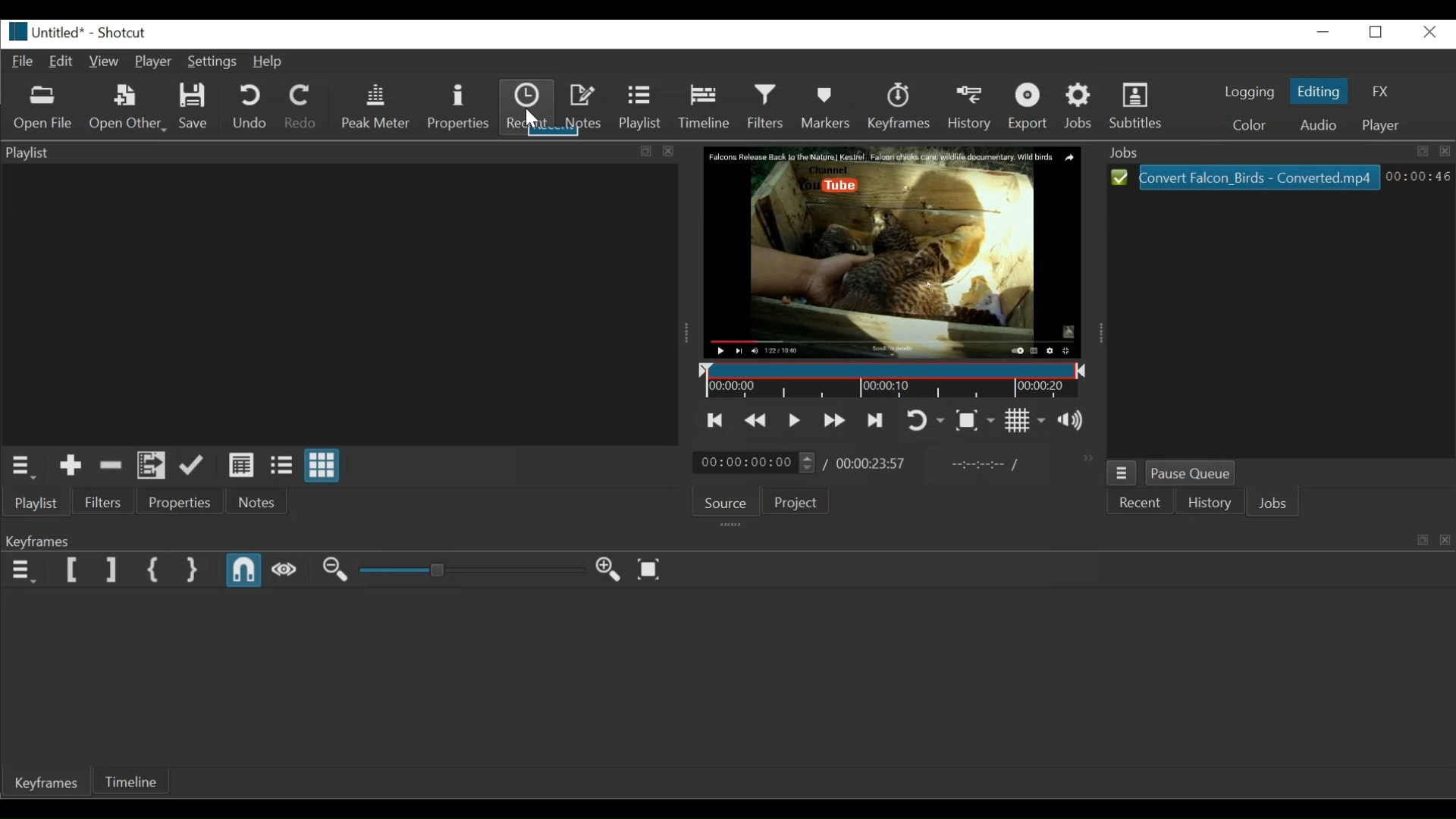 This screenshot has height=819, width=1456. I want to click on Open Other File, so click(43, 108).